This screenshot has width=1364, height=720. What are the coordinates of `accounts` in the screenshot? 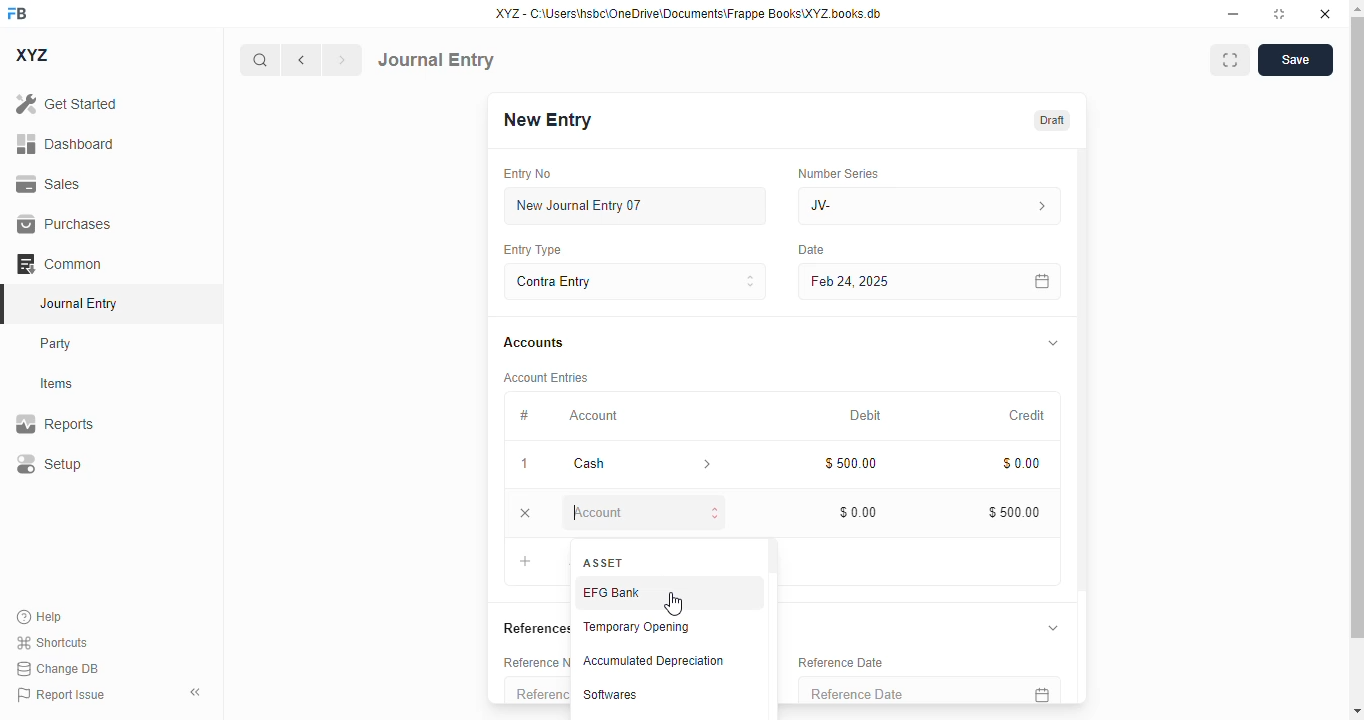 It's located at (534, 343).